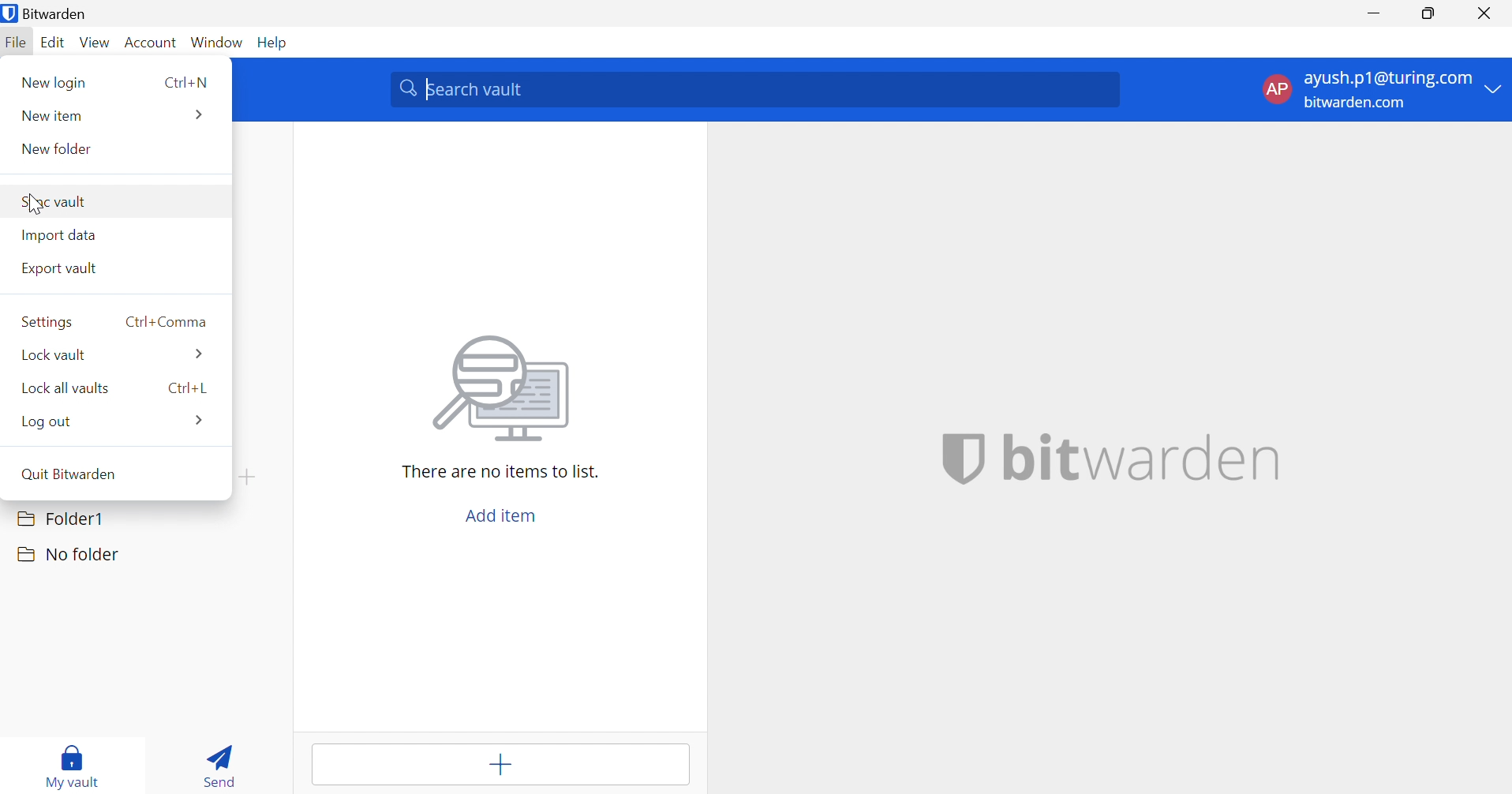 The height and width of the screenshot is (794, 1512). I want to click on Add item, so click(500, 516).